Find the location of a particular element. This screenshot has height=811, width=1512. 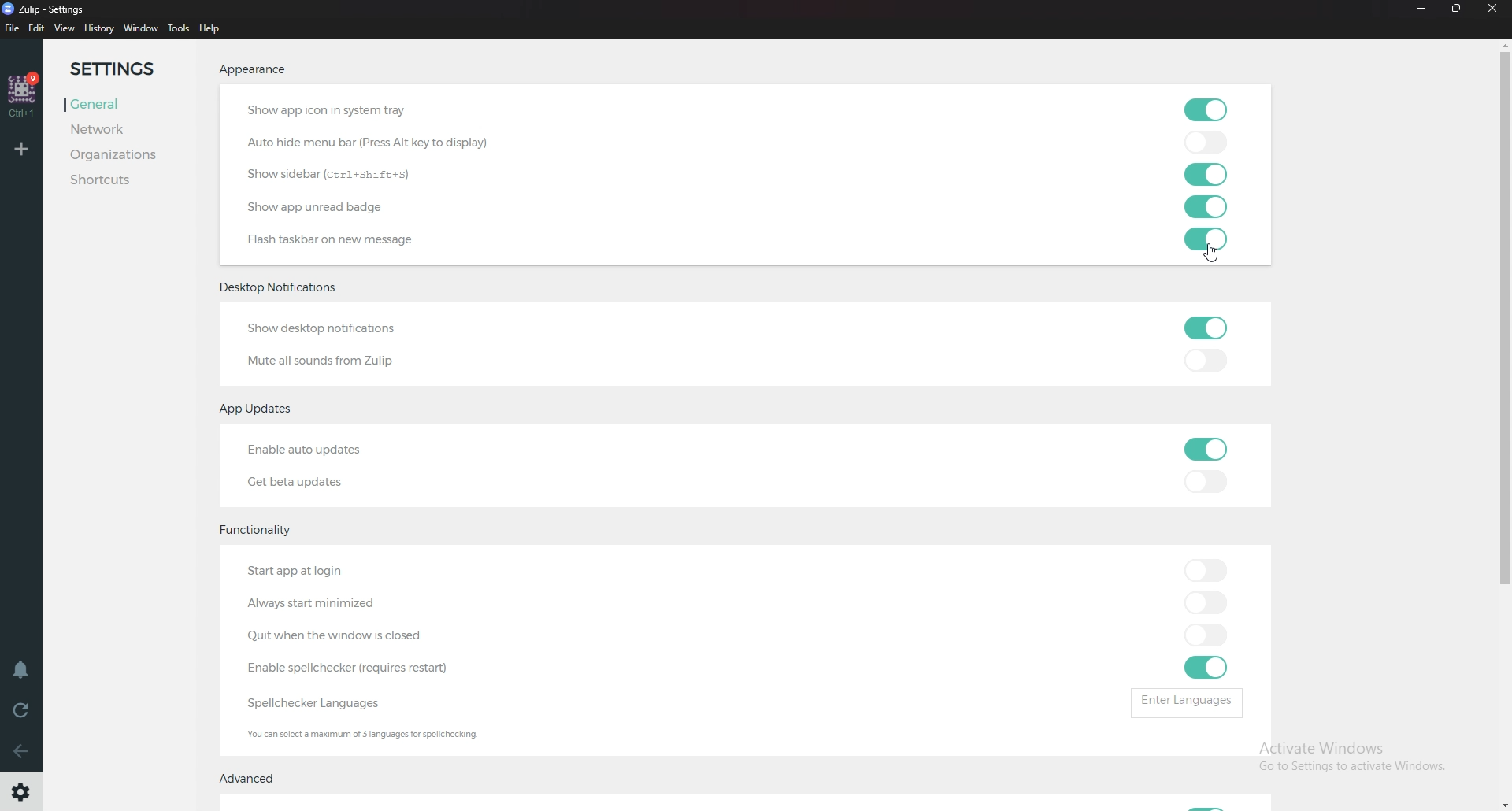

edit is located at coordinates (37, 28).